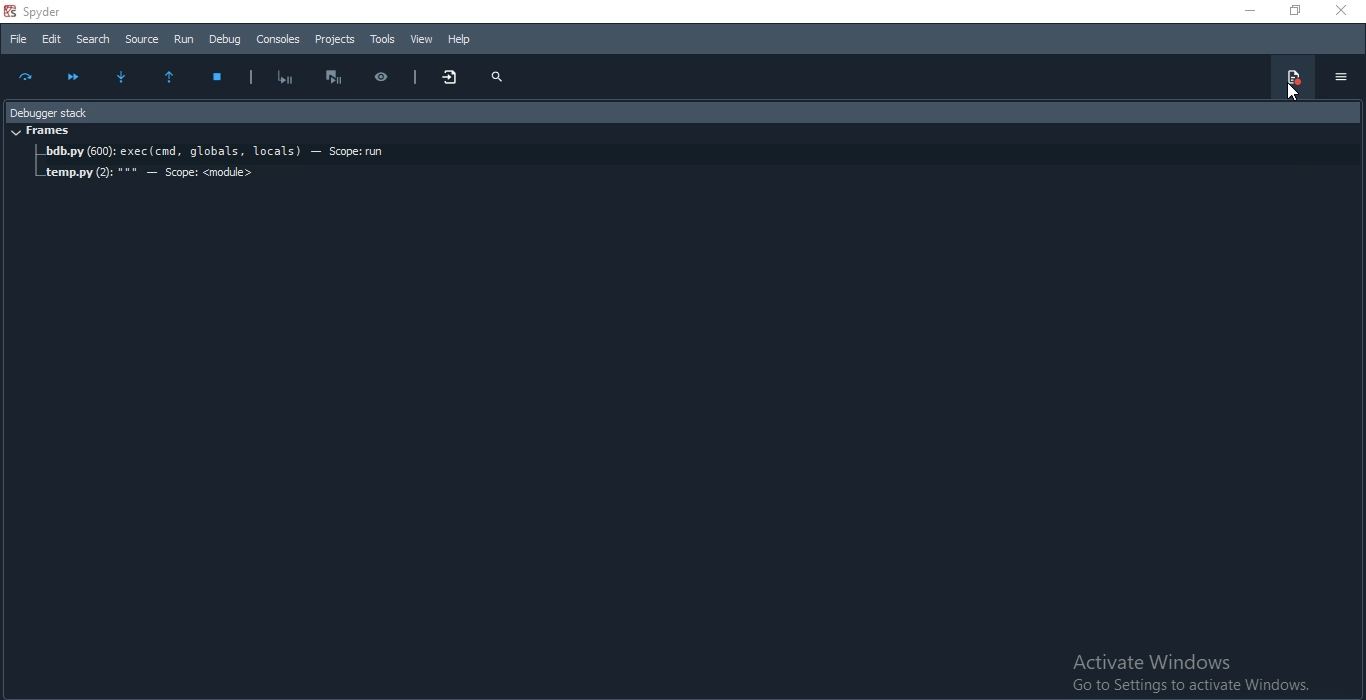  Describe the element at coordinates (696, 153) in the screenshot. I see `bdb.py (600): exec(cmd, globals, locals) — Scope: run` at that location.